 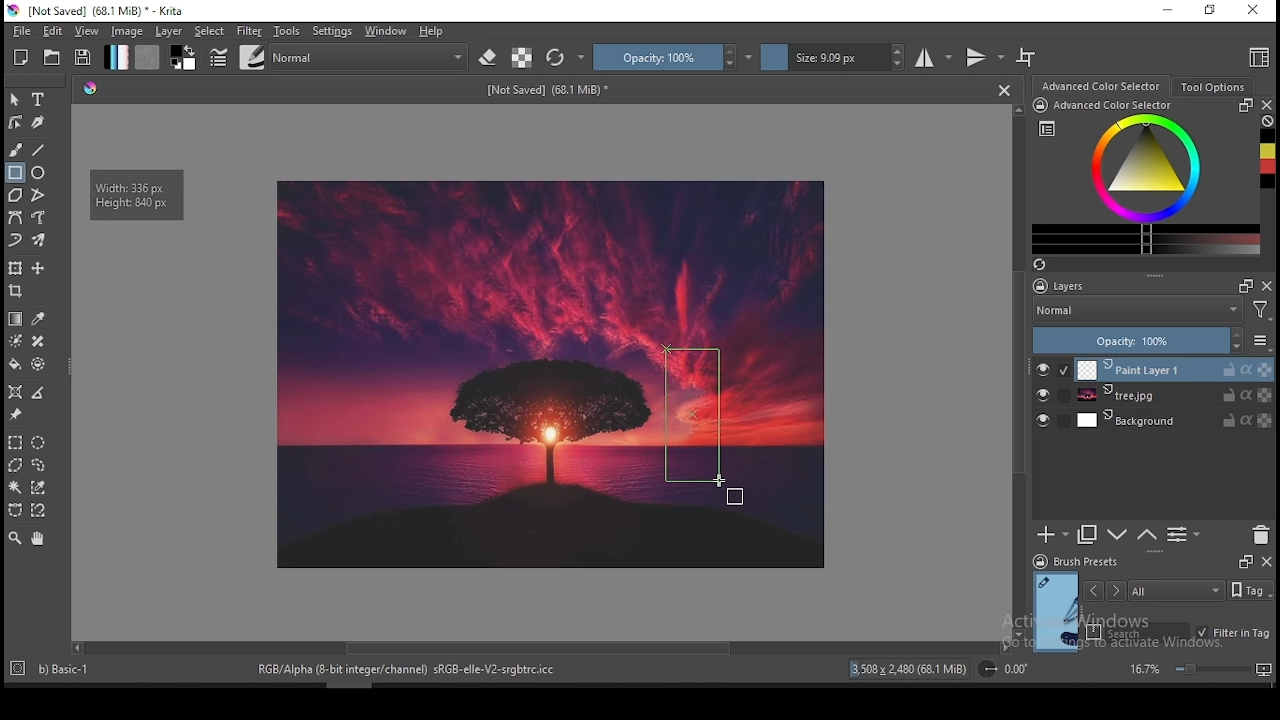 What do you see at coordinates (549, 91) in the screenshot?
I see `text` at bounding box center [549, 91].